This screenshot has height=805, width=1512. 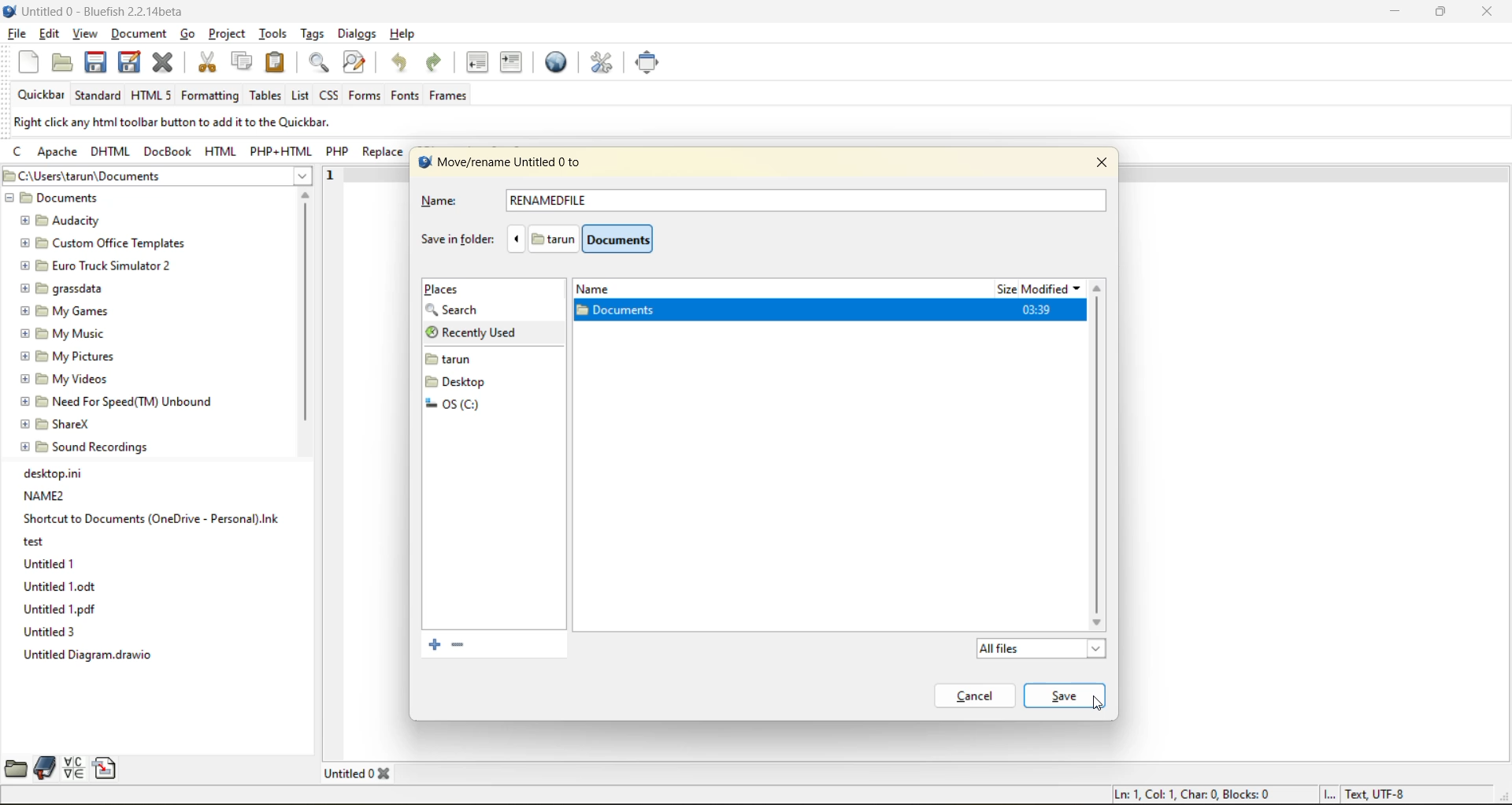 I want to click on html, so click(x=220, y=152).